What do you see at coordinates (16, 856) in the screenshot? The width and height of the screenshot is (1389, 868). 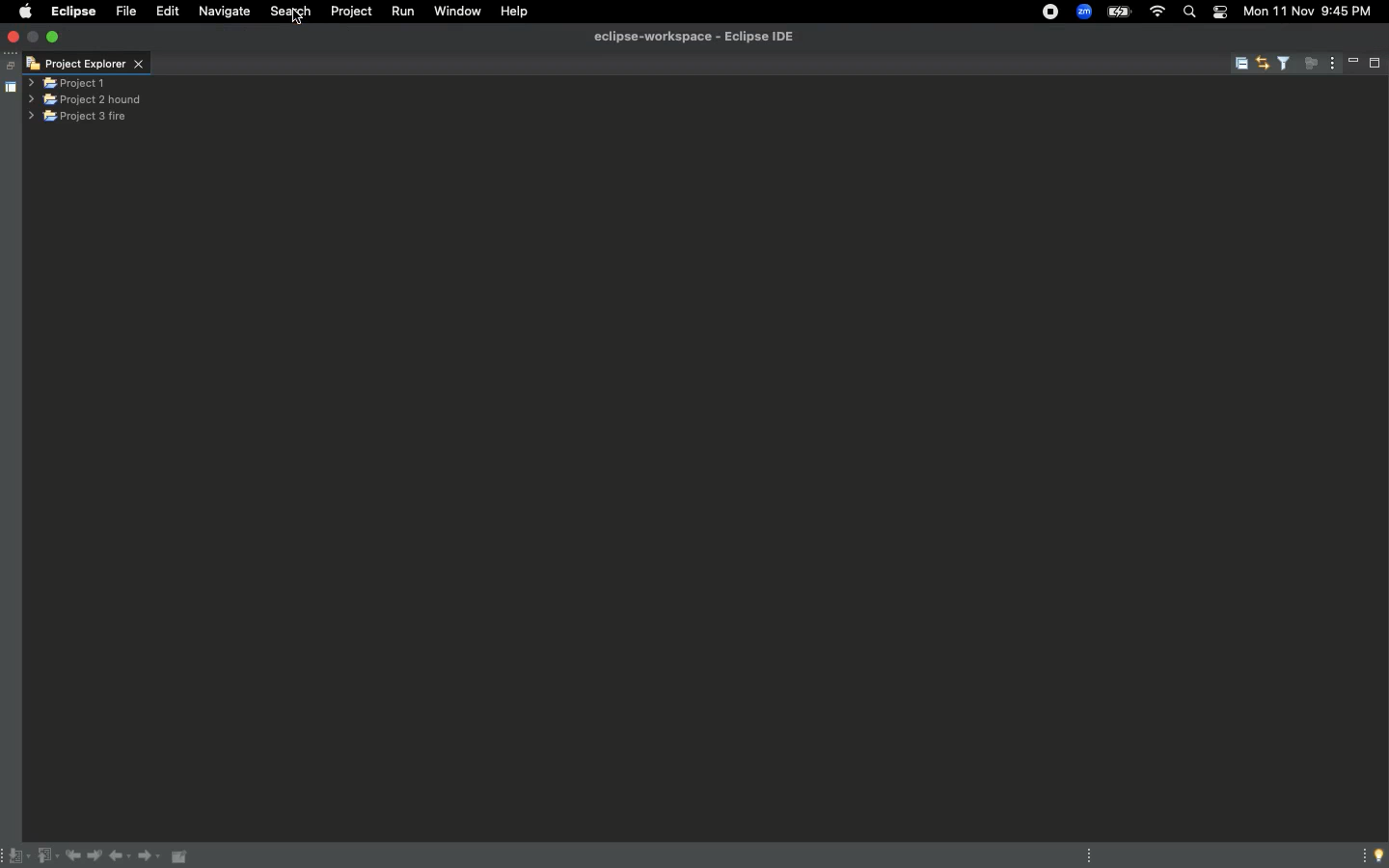 I see `Next annotation` at bounding box center [16, 856].